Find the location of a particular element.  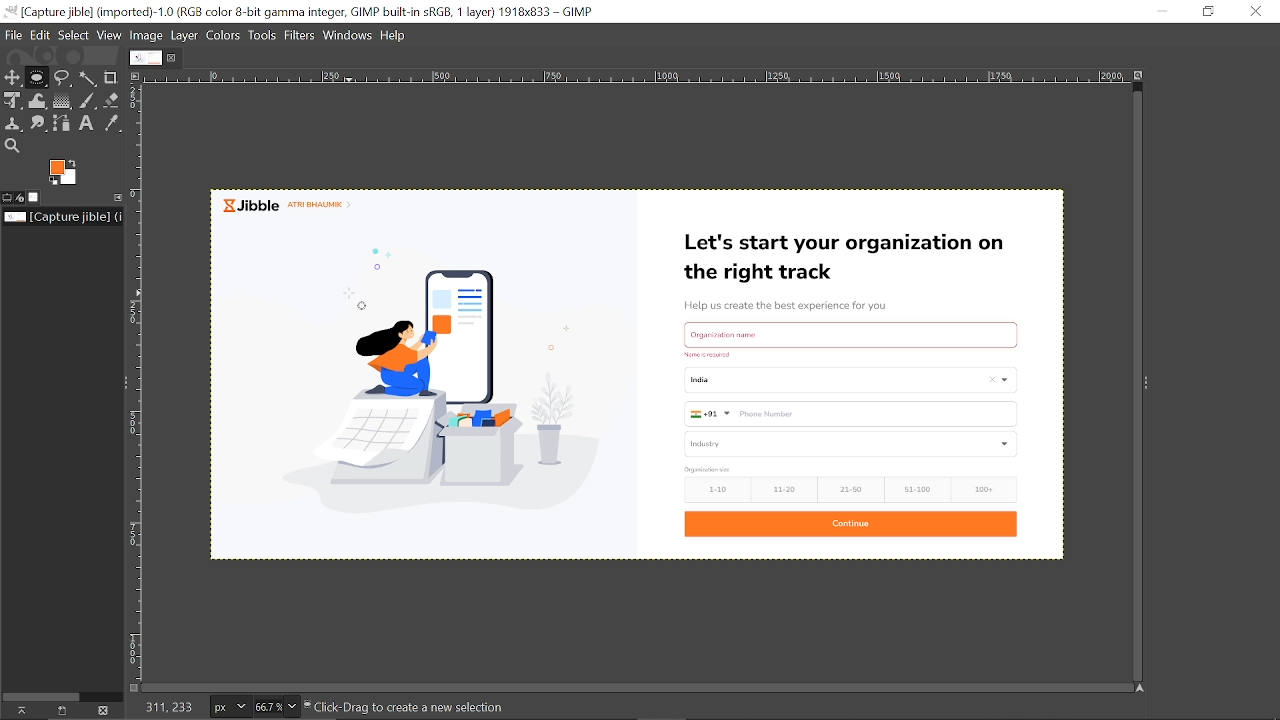

Paintbrush tool is located at coordinates (89, 100).